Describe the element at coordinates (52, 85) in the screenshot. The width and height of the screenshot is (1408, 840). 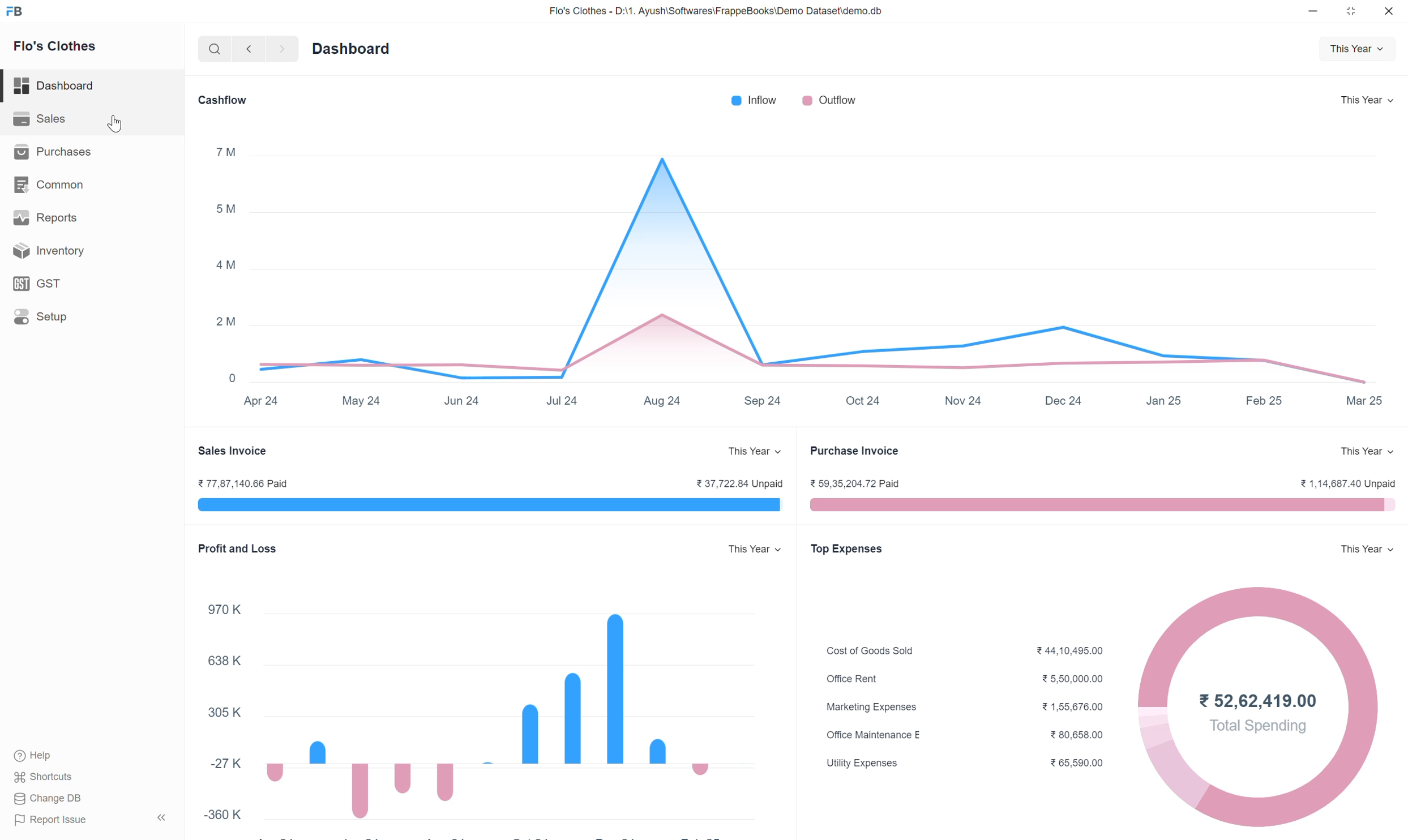
I see `Dashboard` at that location.